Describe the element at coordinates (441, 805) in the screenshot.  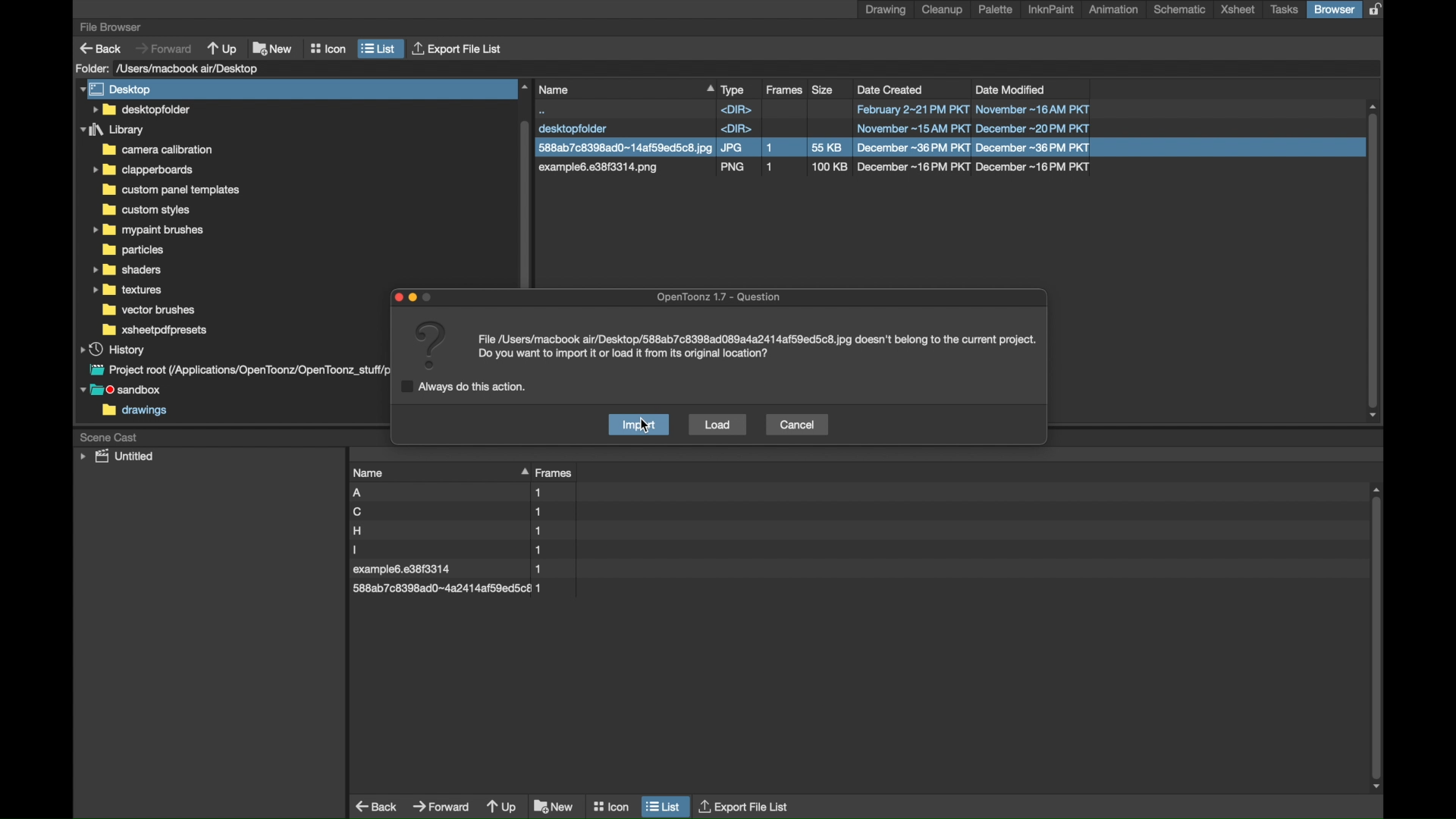
I see `forward` at that location.